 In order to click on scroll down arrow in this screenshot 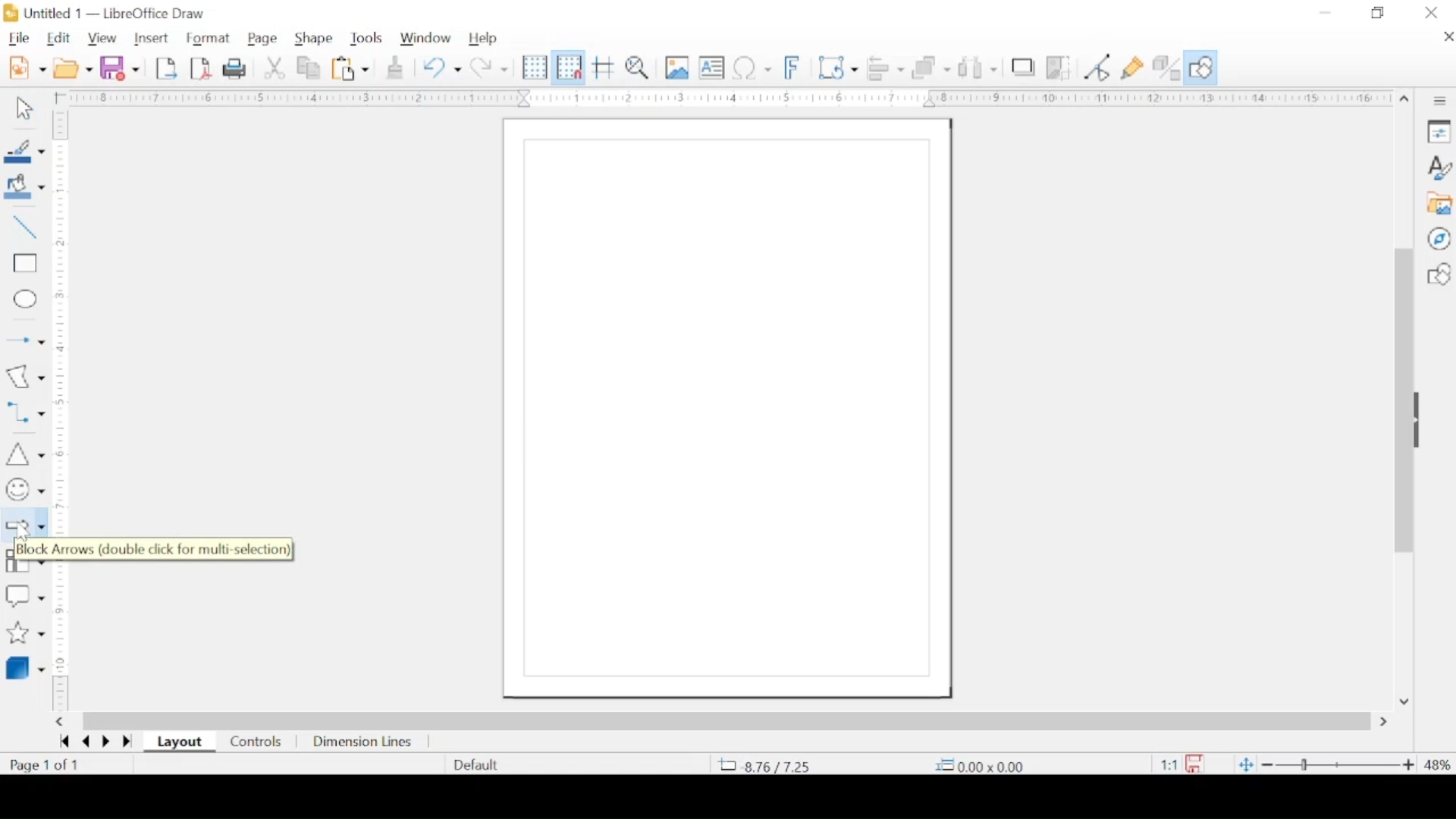, I will do `click(1404, 702)`.